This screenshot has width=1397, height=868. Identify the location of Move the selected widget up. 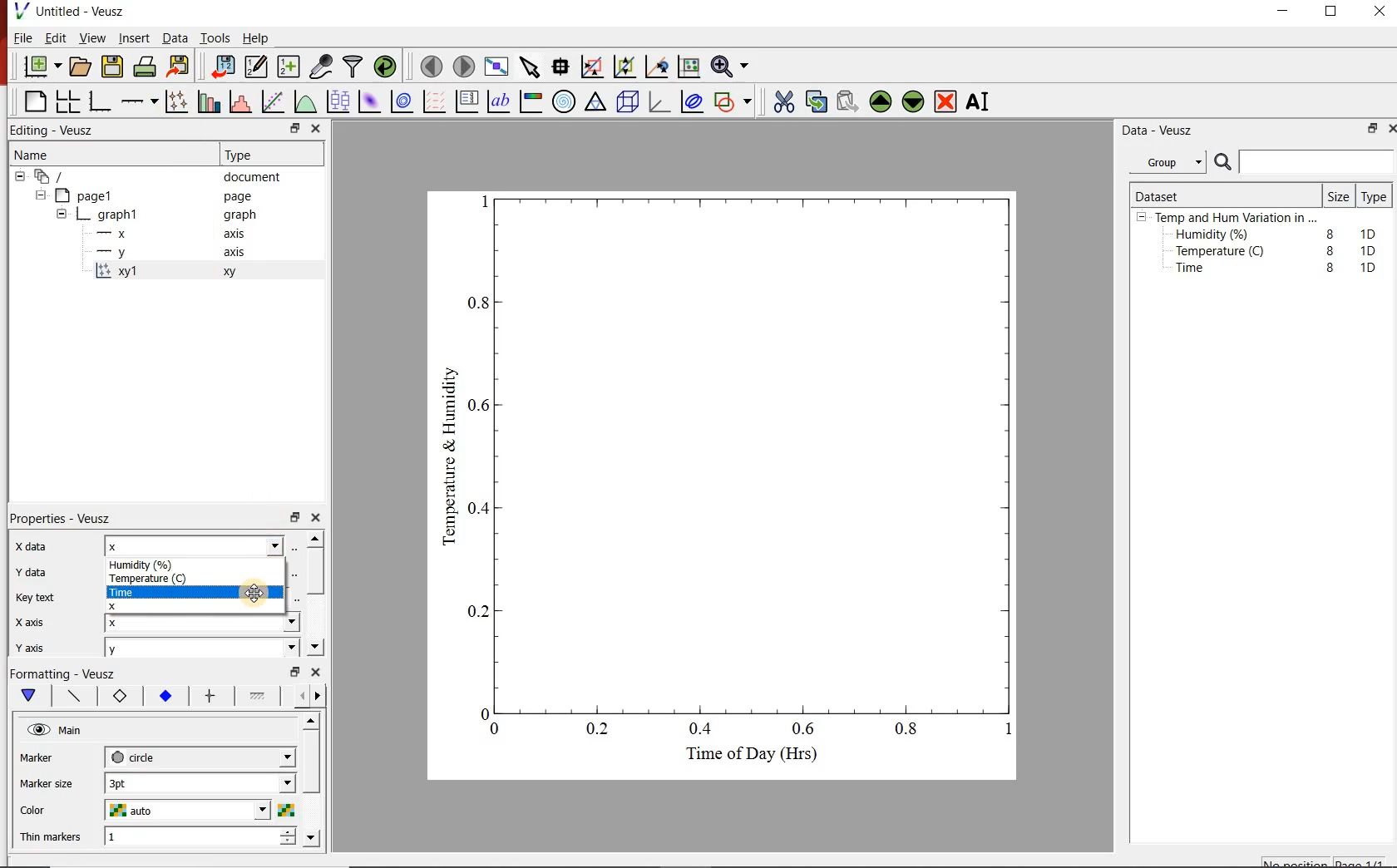
(881, 100).